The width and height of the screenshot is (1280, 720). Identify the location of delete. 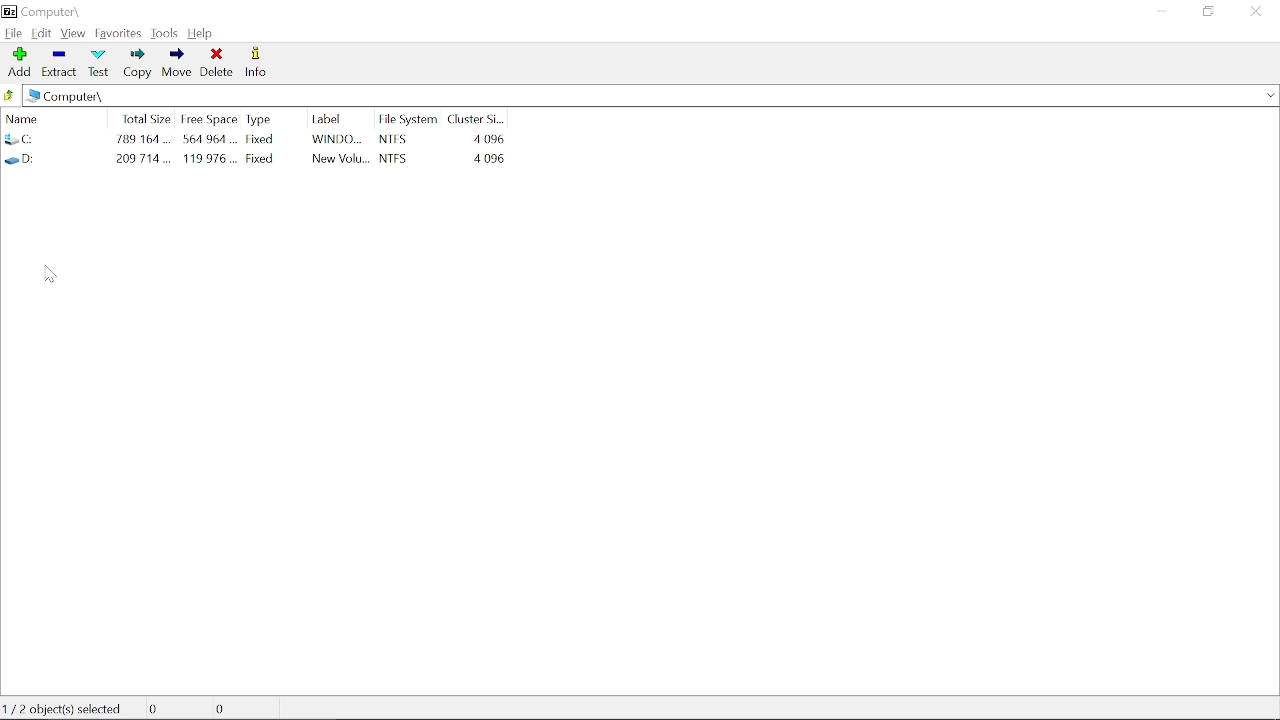
(217, 62).